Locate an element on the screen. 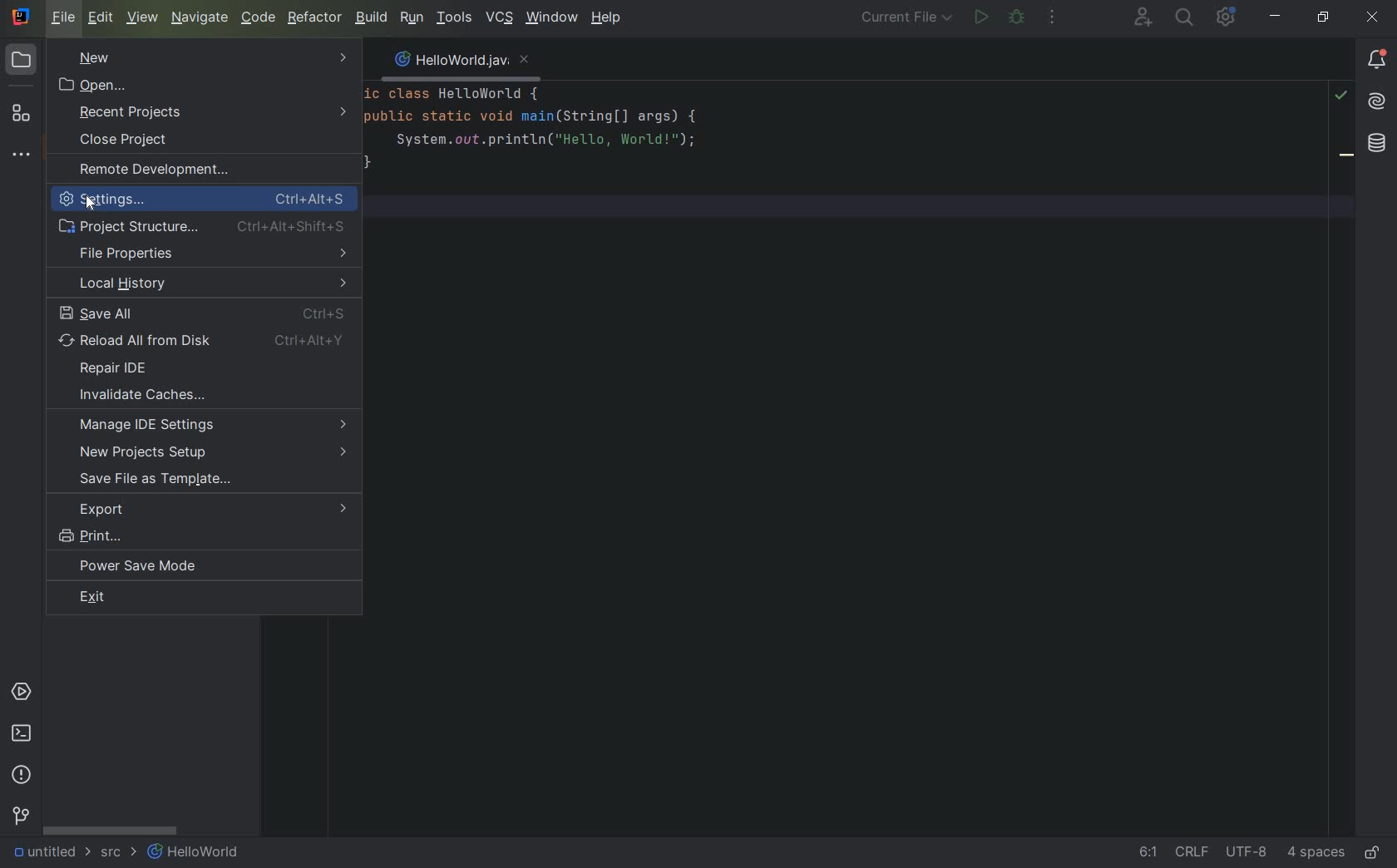  highlight problems is located at coordinates (1340, 96).